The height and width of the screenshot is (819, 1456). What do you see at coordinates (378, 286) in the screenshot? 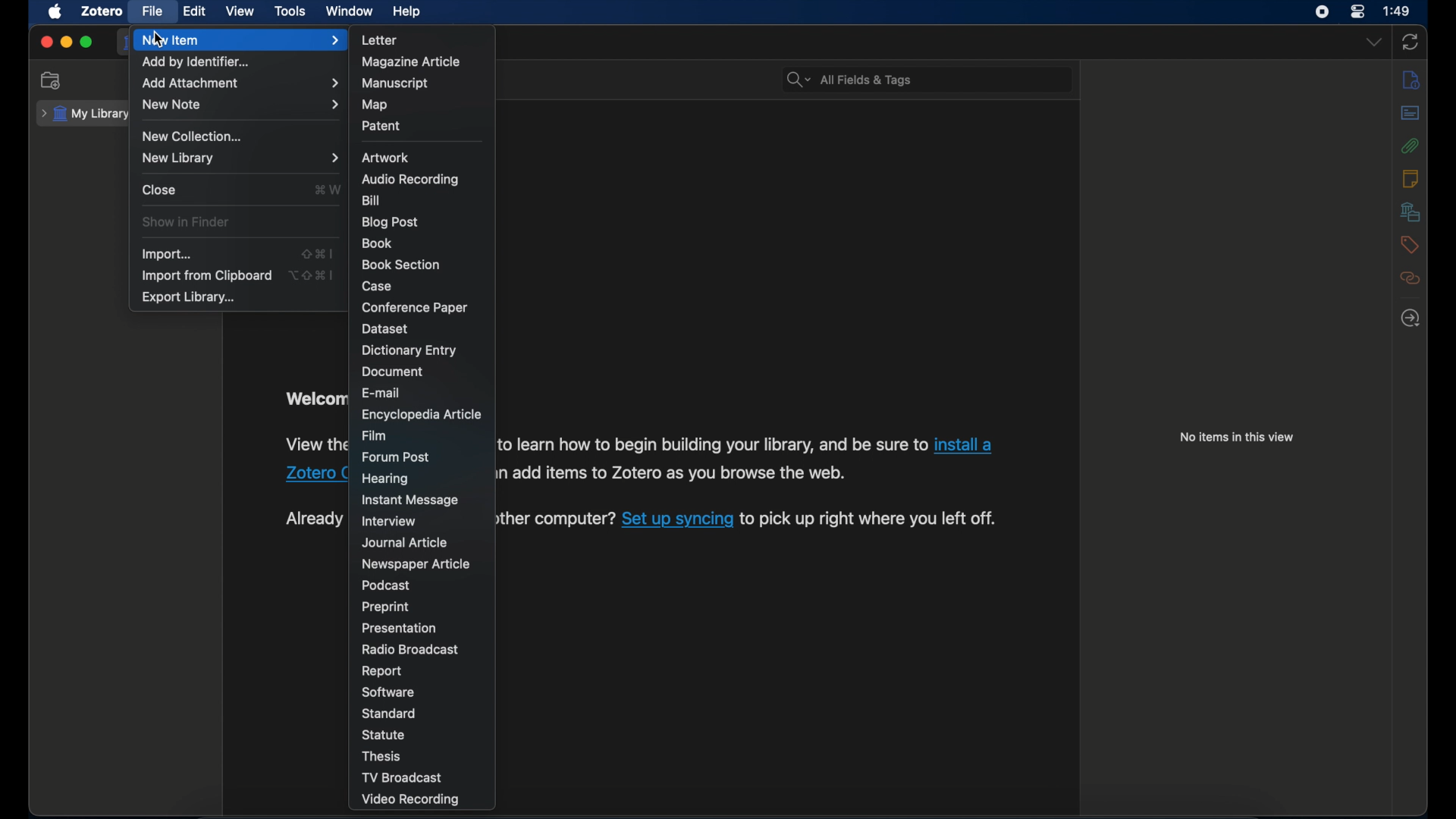
I see `case` at bounding box center [378, 286].